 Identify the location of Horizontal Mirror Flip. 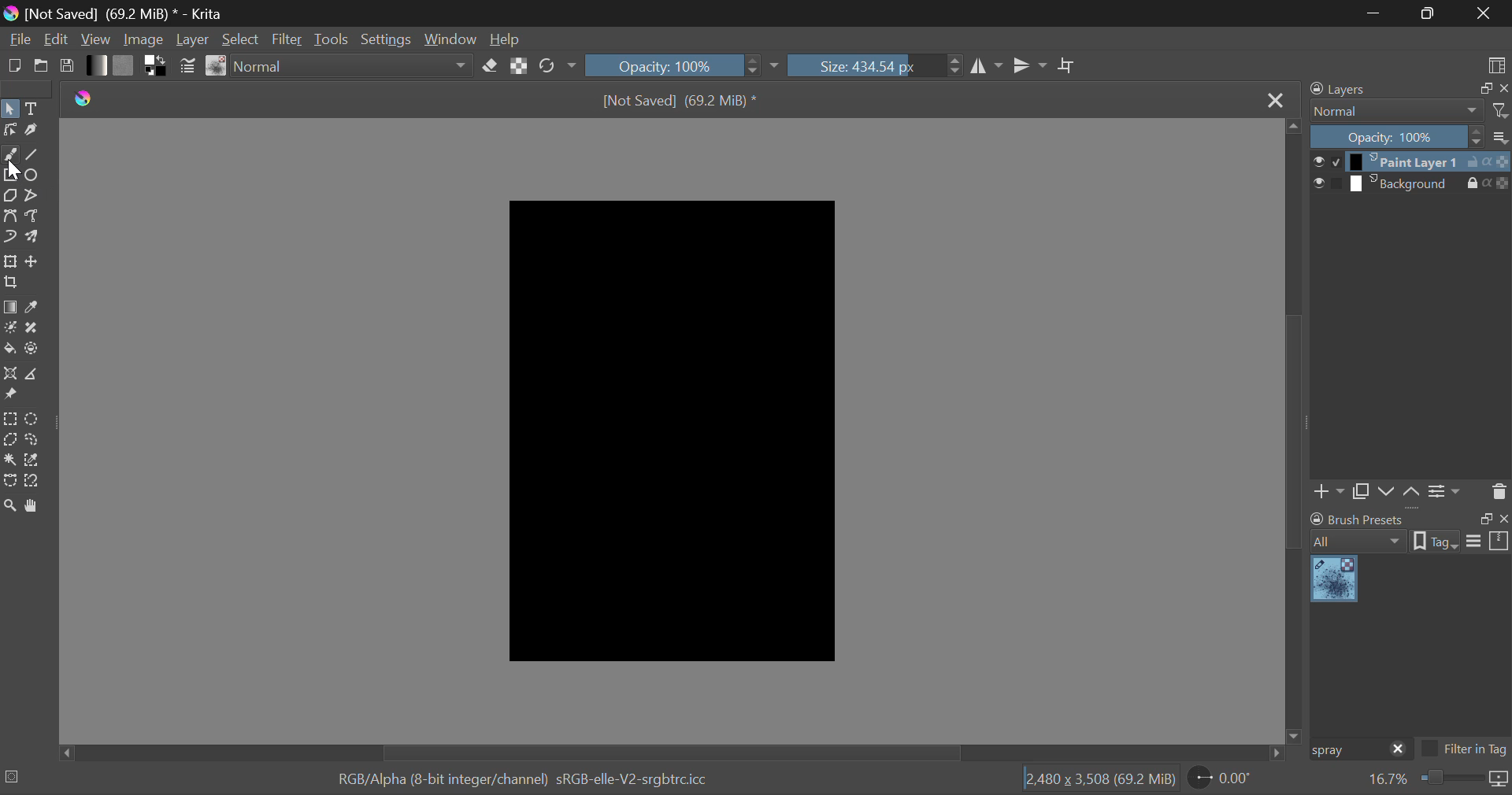
(1030, 65).